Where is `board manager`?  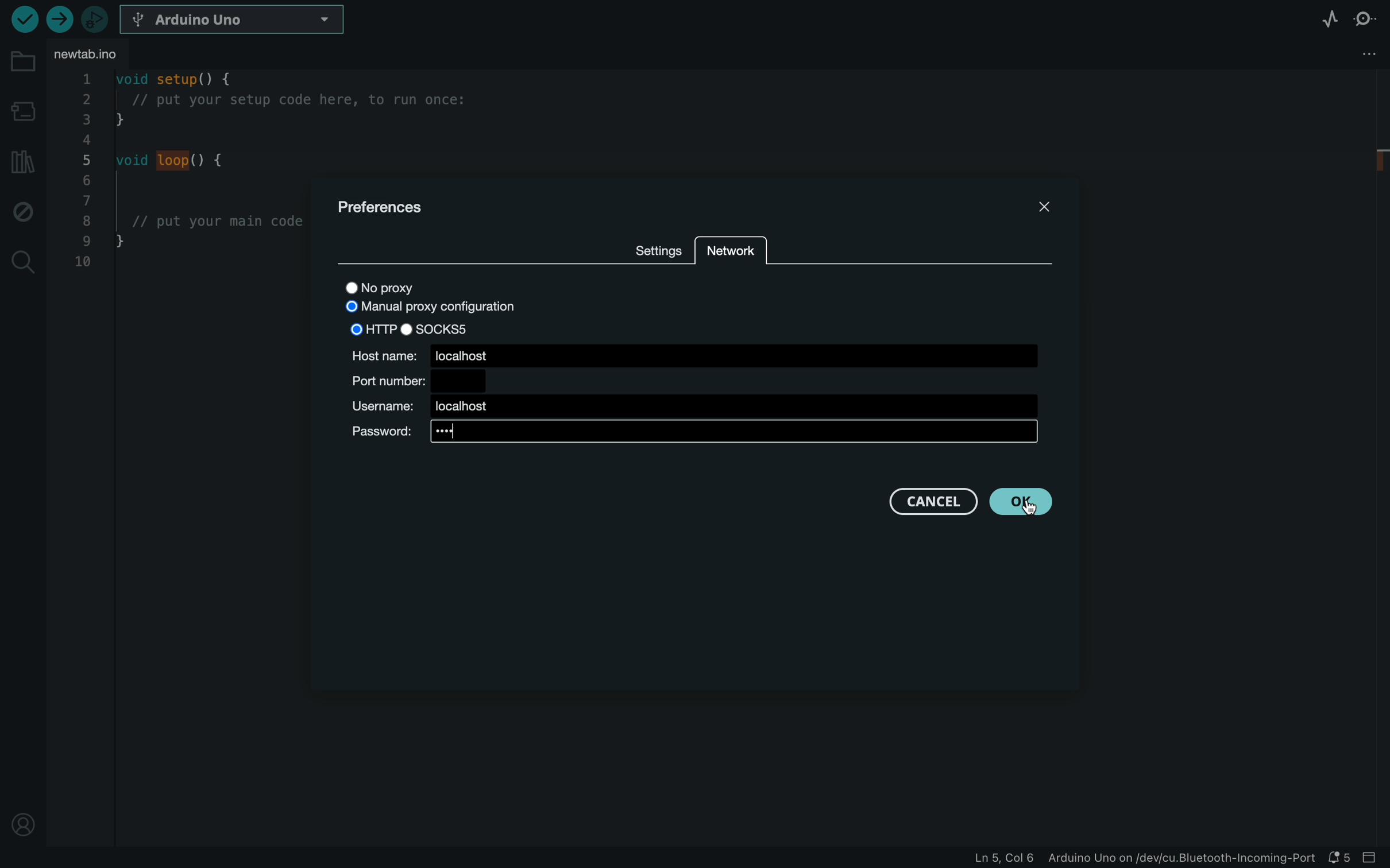
board manager is located at coordinates (22, 106).